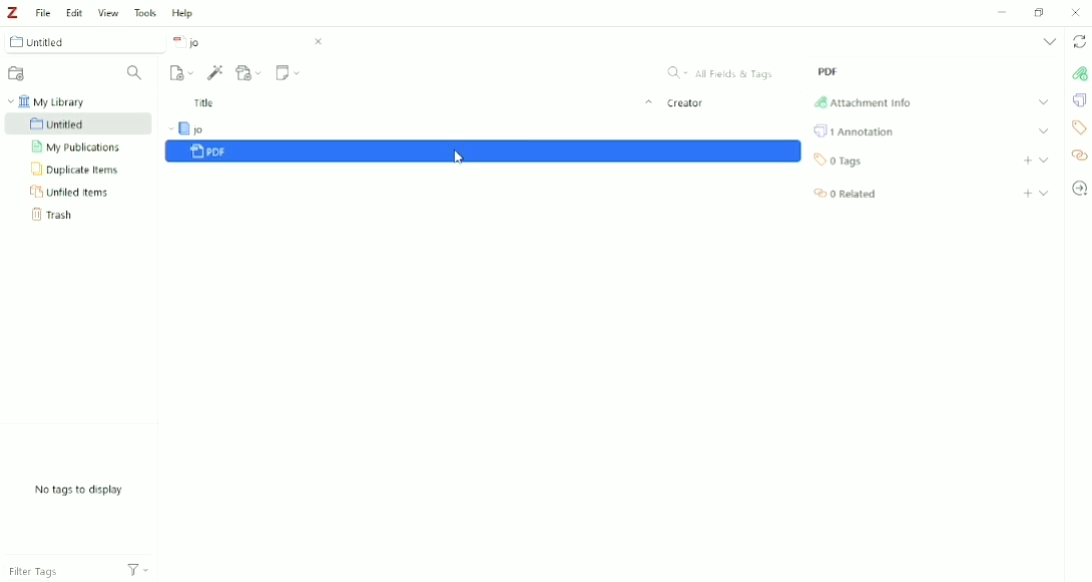  What do you see at coordinates (248, 42) in the screenshot?
I see `jo` at bounding box center [248, 42].